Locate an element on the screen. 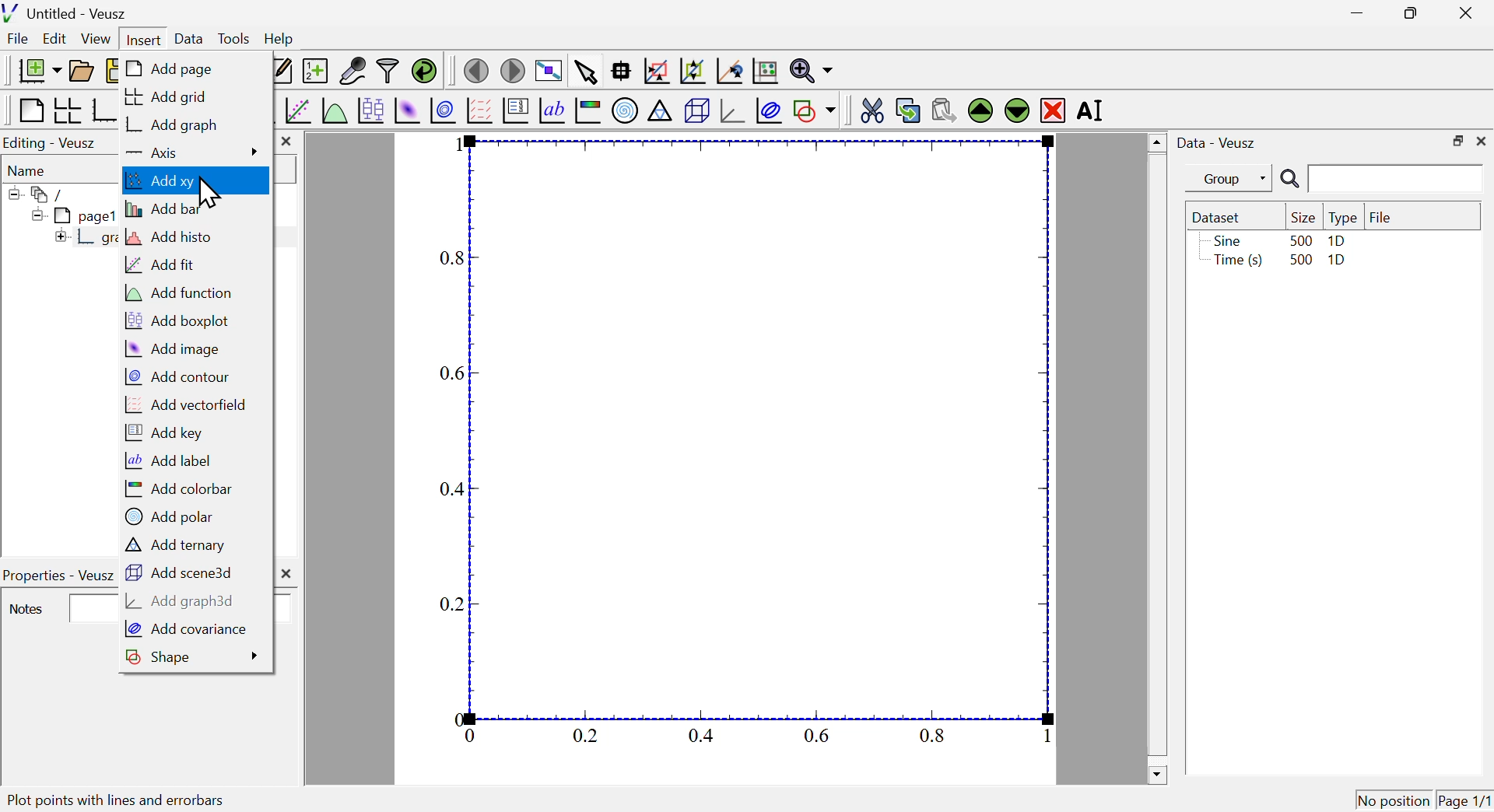  add ternary is located at coordinates (179, 545).